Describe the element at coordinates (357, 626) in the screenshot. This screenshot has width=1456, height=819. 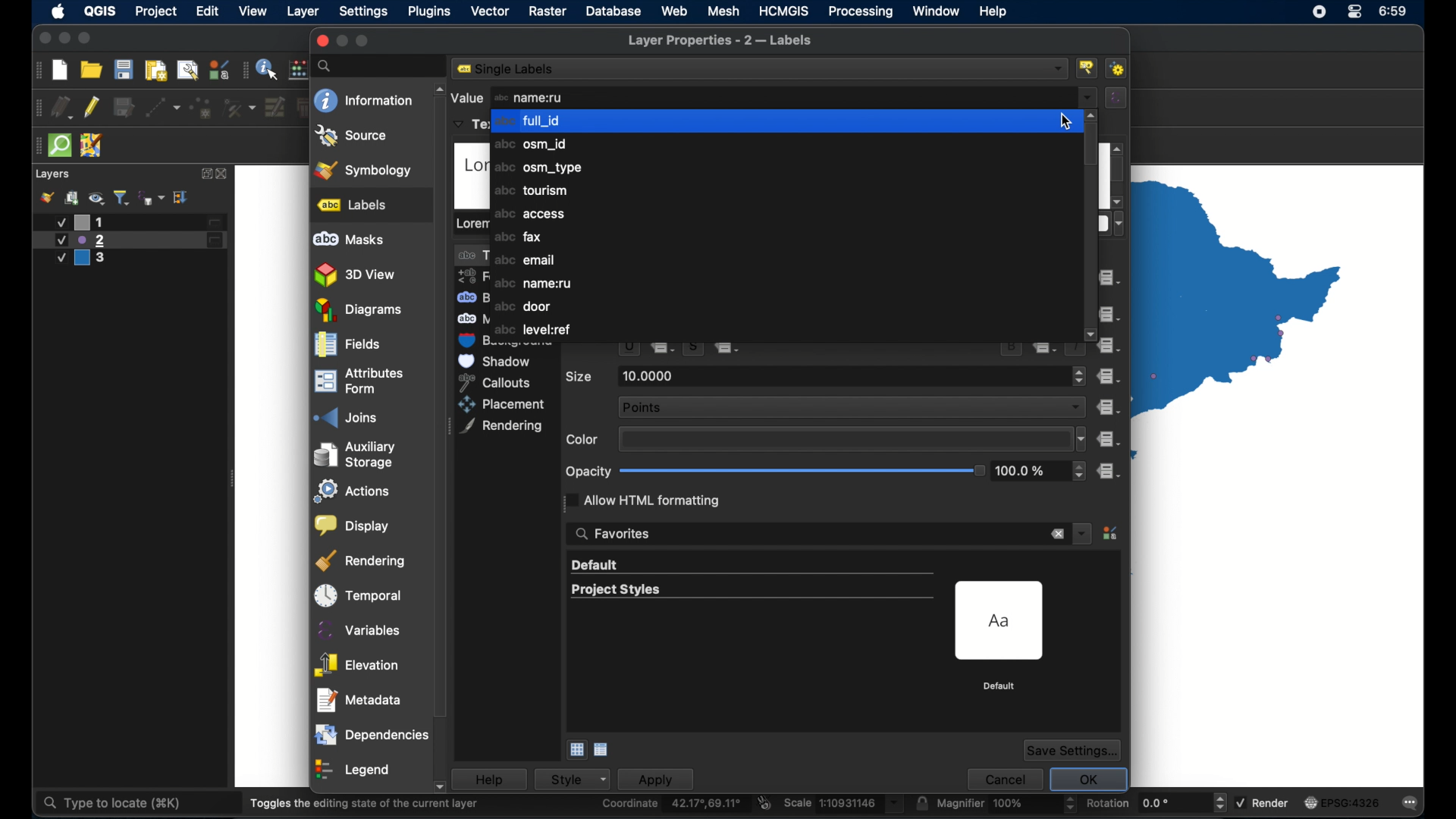
I see `variables` at that location.